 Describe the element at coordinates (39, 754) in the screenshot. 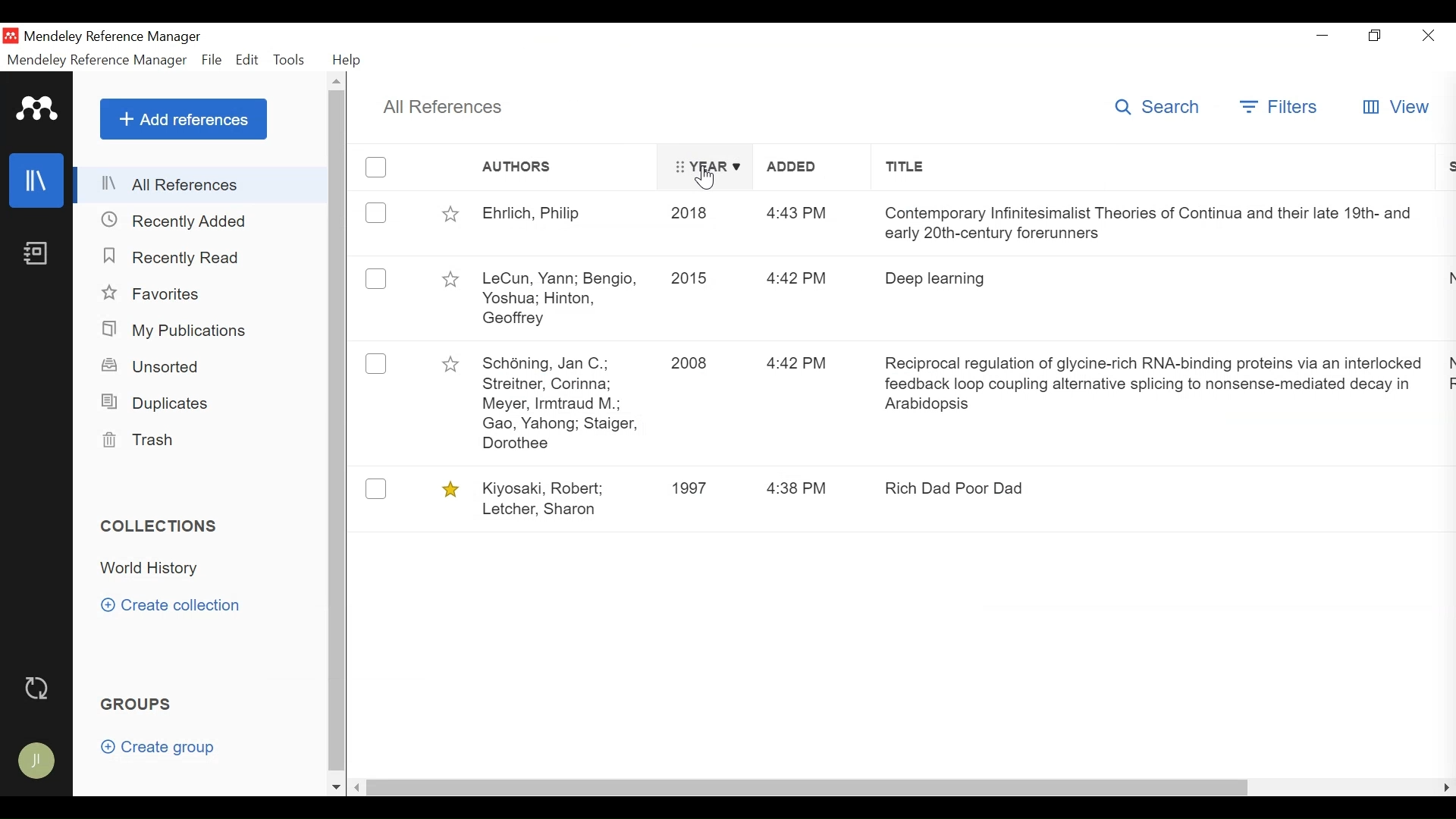

I see `Avatar` at that location.